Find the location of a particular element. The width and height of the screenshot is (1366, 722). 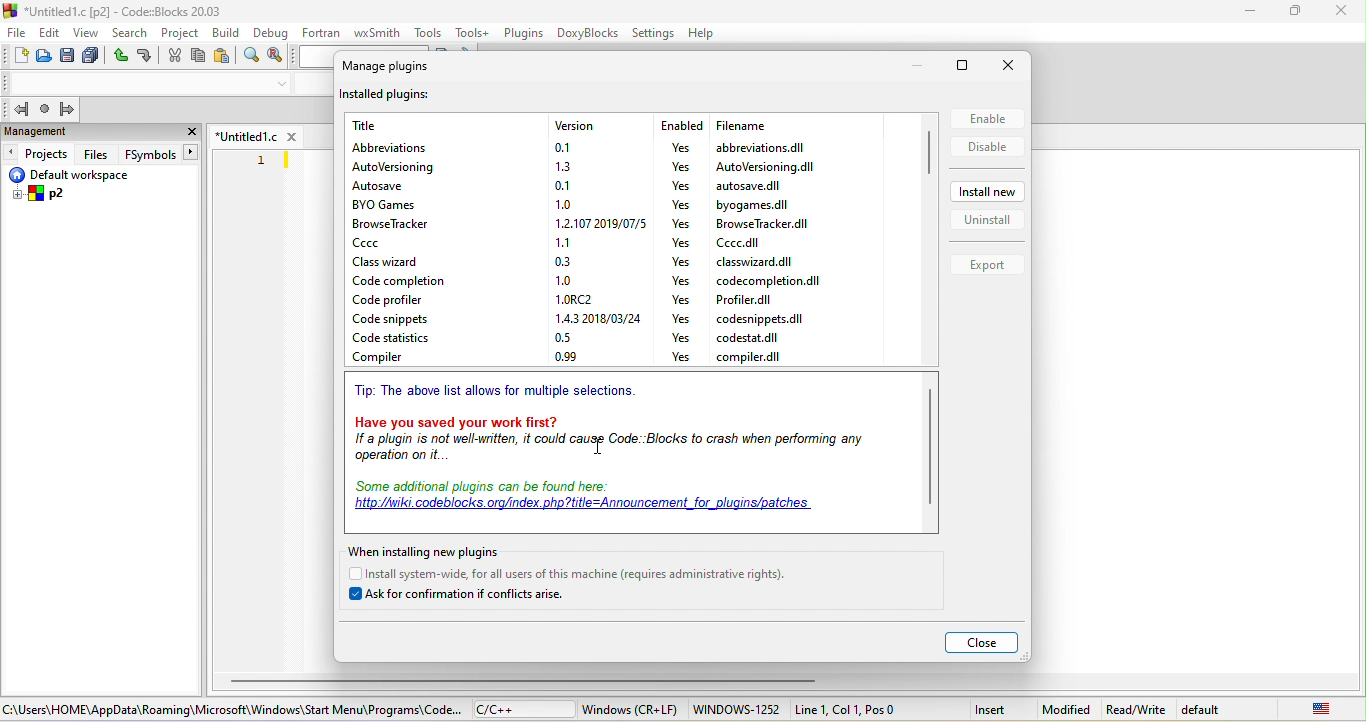

doxyblocks is located at coordinates (586, 33).